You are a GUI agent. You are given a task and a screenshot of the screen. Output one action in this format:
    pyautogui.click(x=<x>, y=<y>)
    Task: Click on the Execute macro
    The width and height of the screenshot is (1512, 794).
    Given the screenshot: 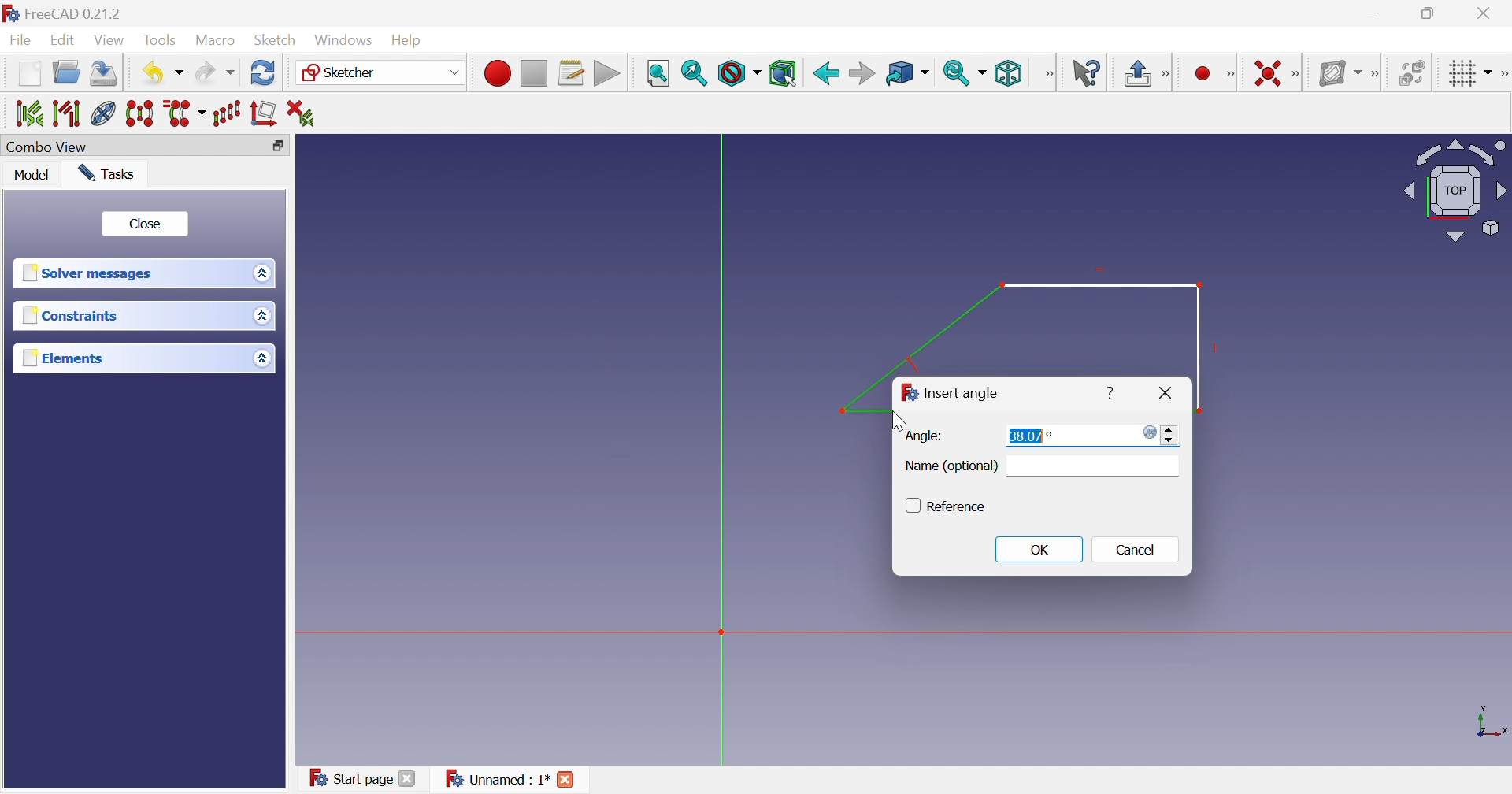 What is the action you would take?
    pyautogui.click(x=606, y=73)
    